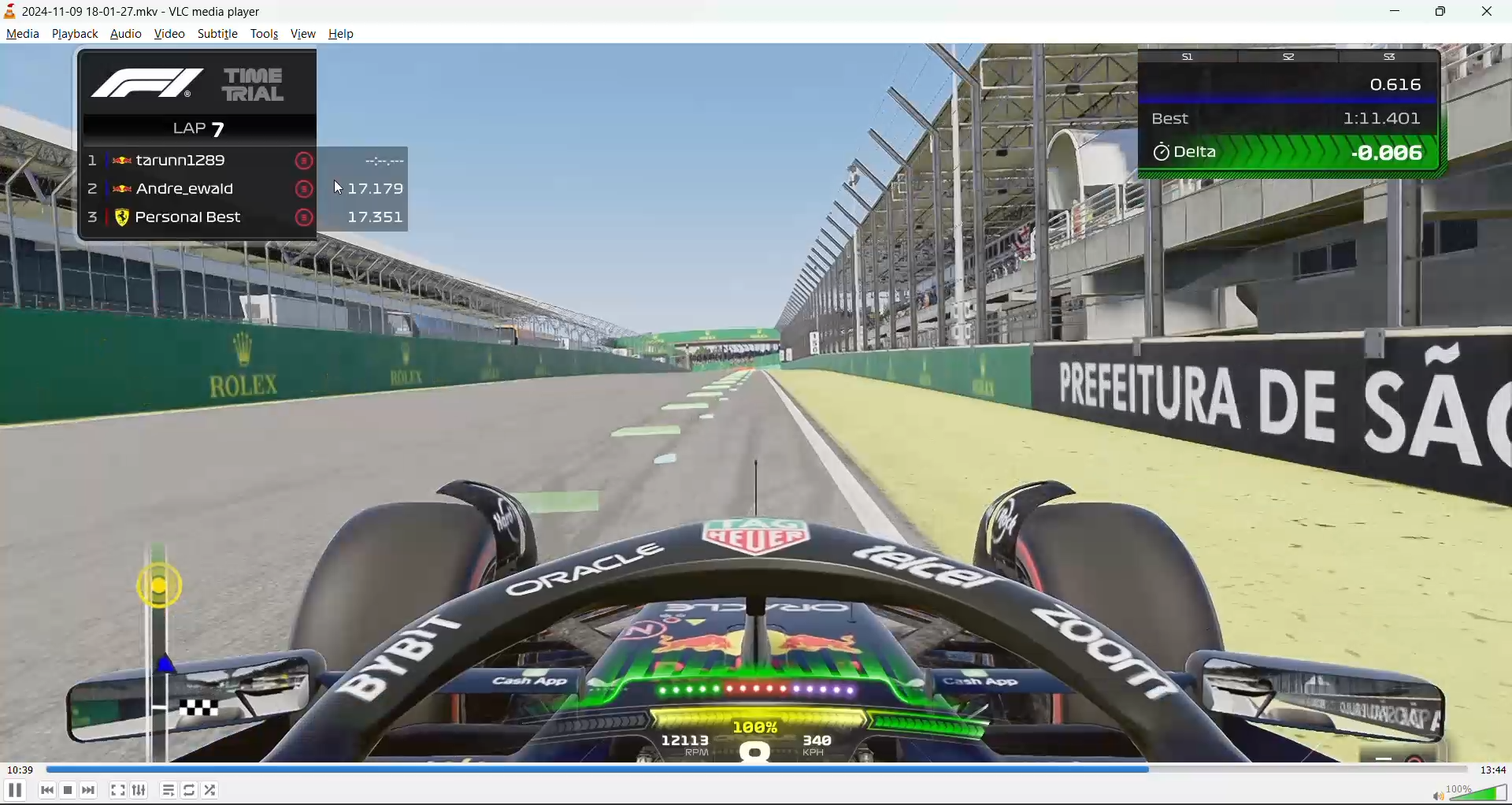  I want to click on toggle fullscreen, so click(117, 788).